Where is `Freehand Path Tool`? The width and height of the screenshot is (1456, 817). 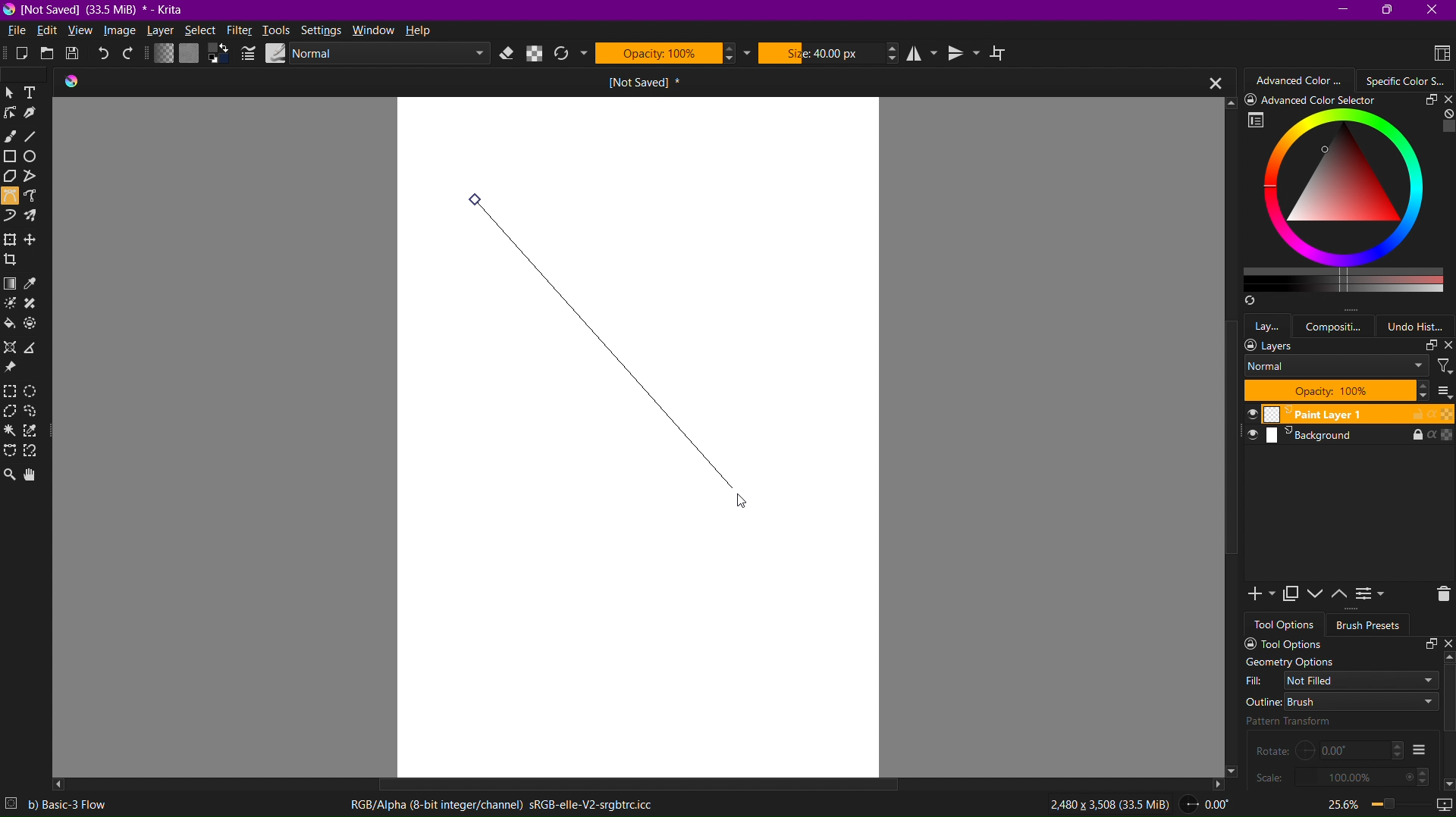 Freehand Path Tool is located at coordinates (36, 197).